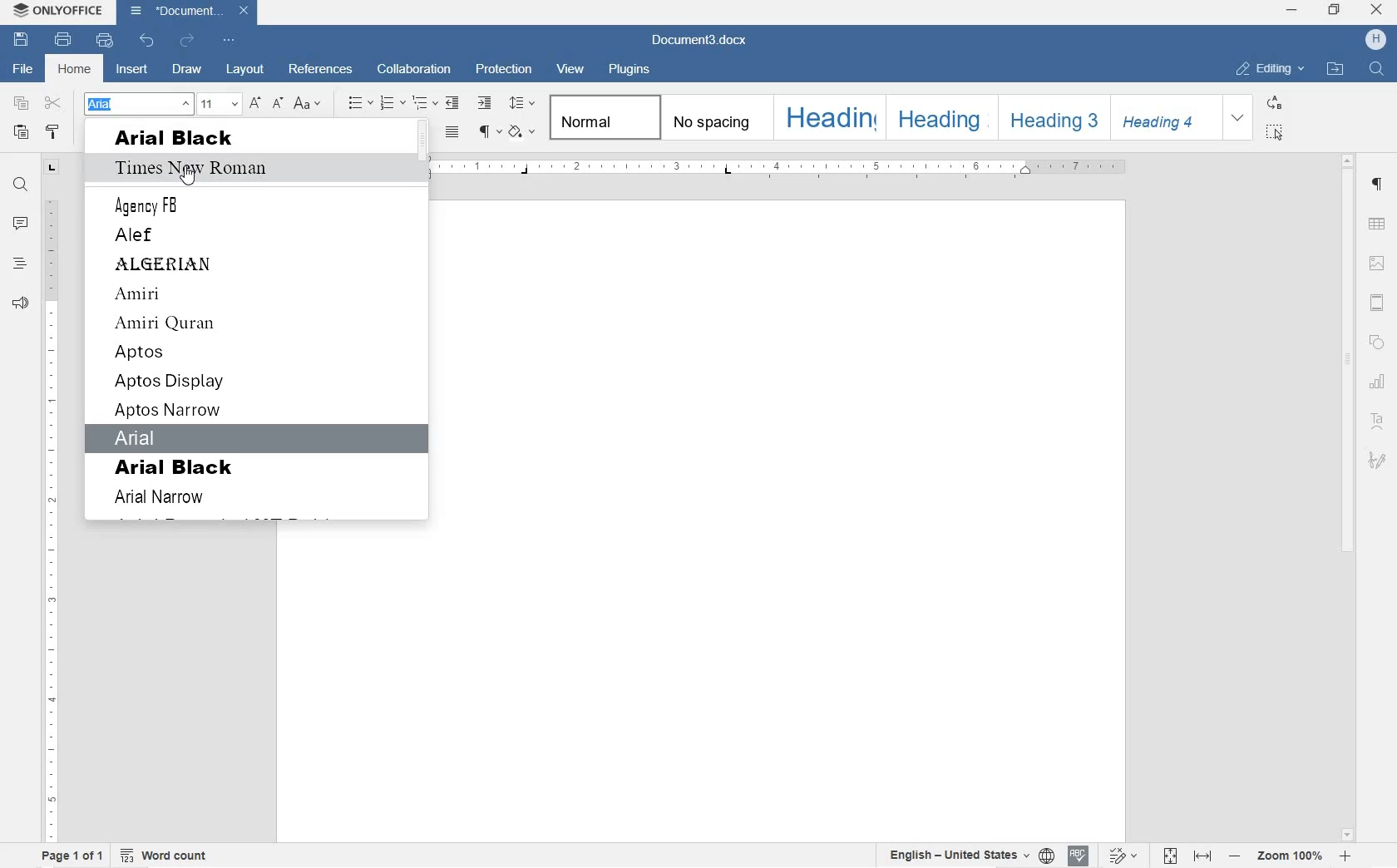  I want to click on alef, so click(151, 234).